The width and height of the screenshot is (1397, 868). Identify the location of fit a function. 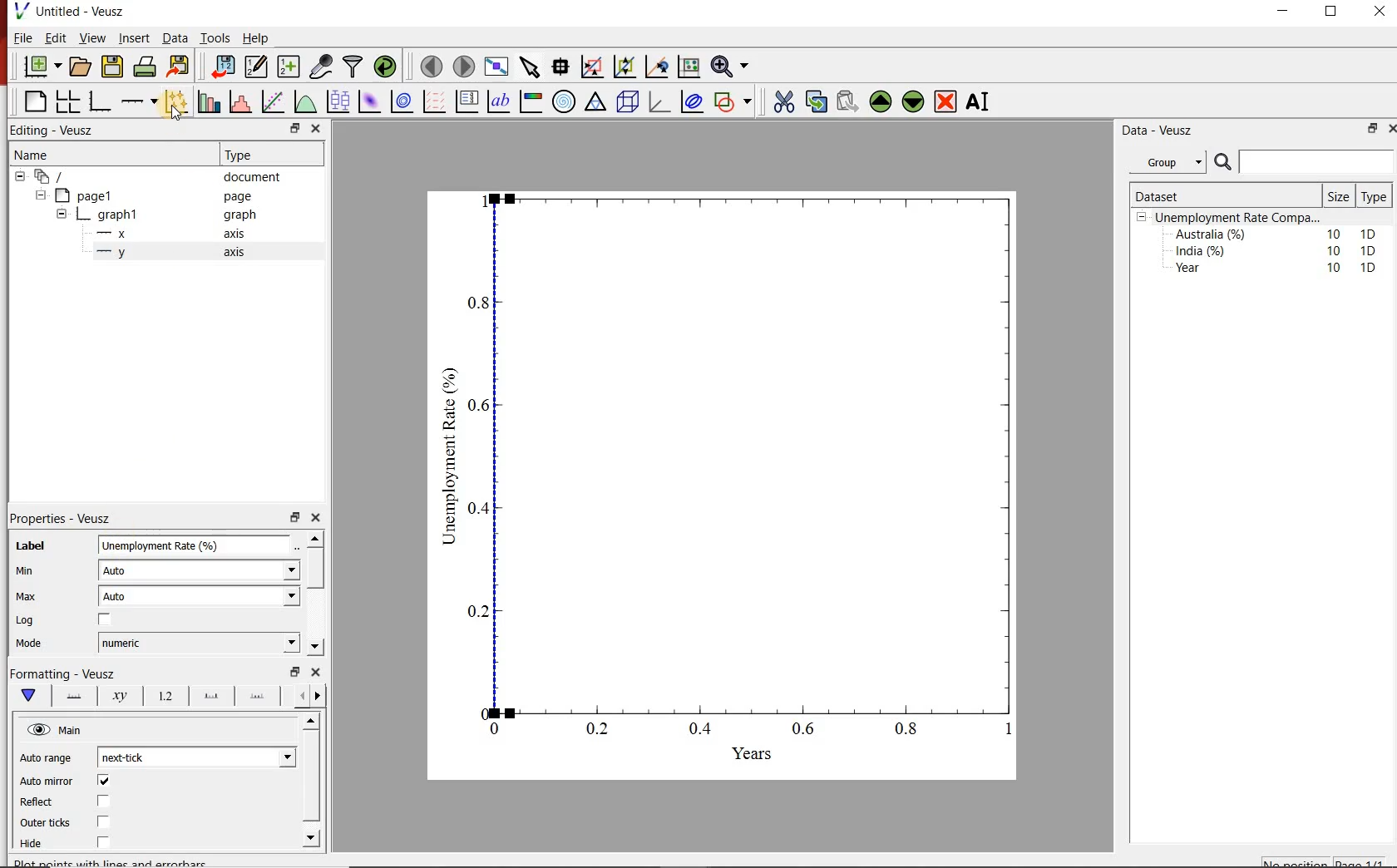
(272, 101).